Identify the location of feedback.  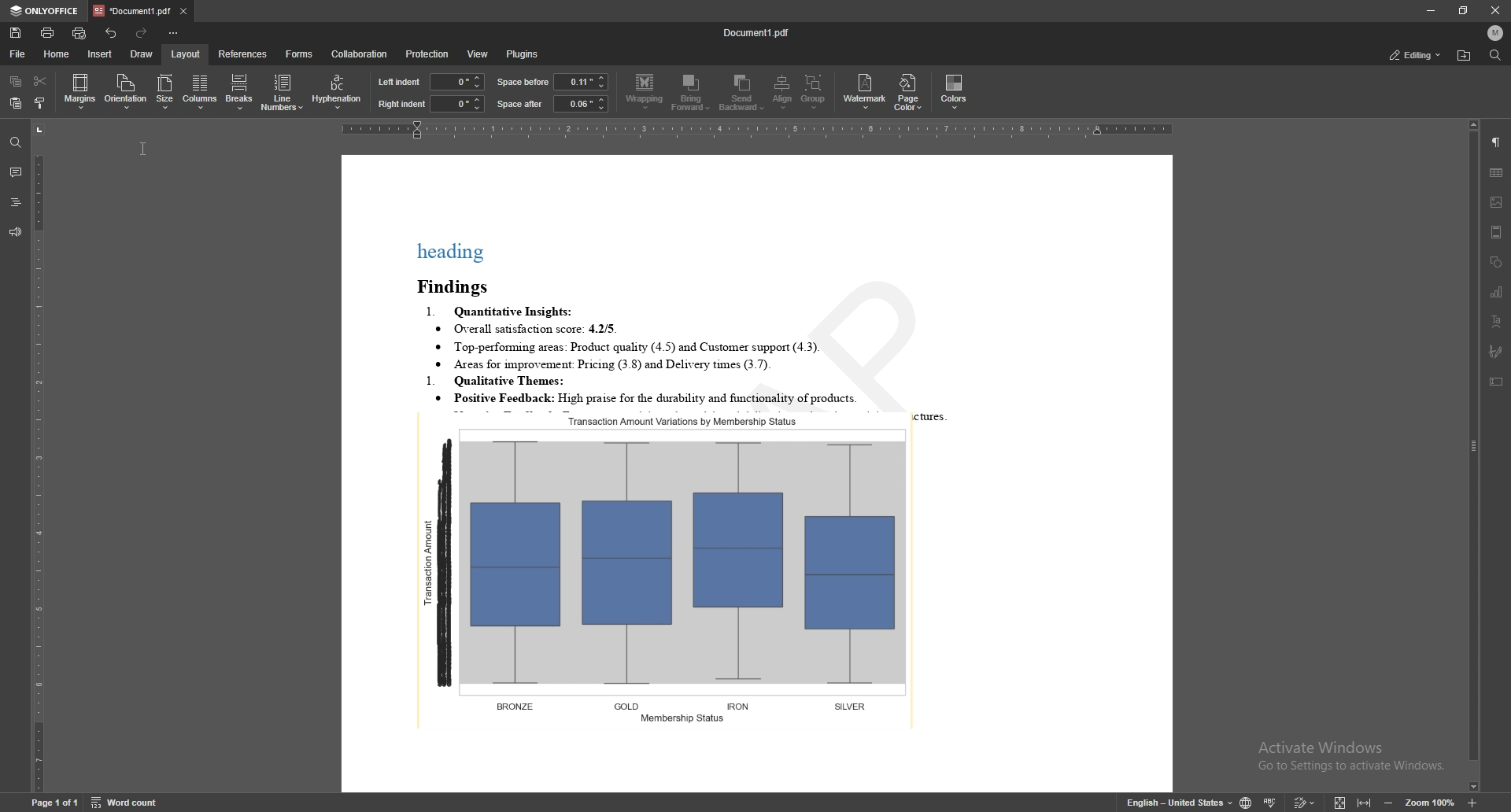
(16, 232).